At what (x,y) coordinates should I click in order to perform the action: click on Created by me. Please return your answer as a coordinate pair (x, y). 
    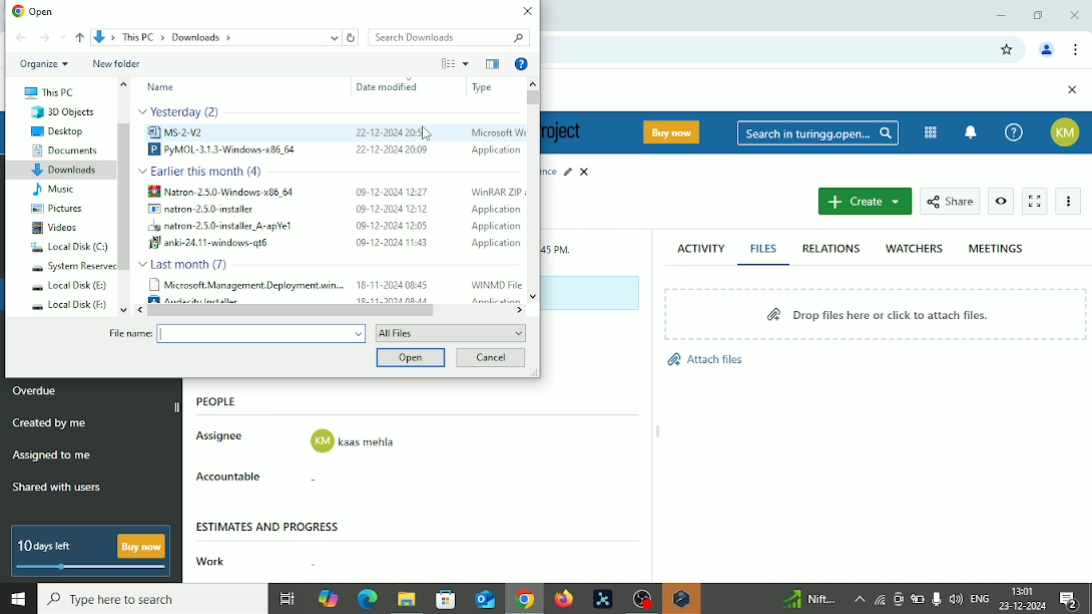
    Looking at the image, I should click on (52, 425).